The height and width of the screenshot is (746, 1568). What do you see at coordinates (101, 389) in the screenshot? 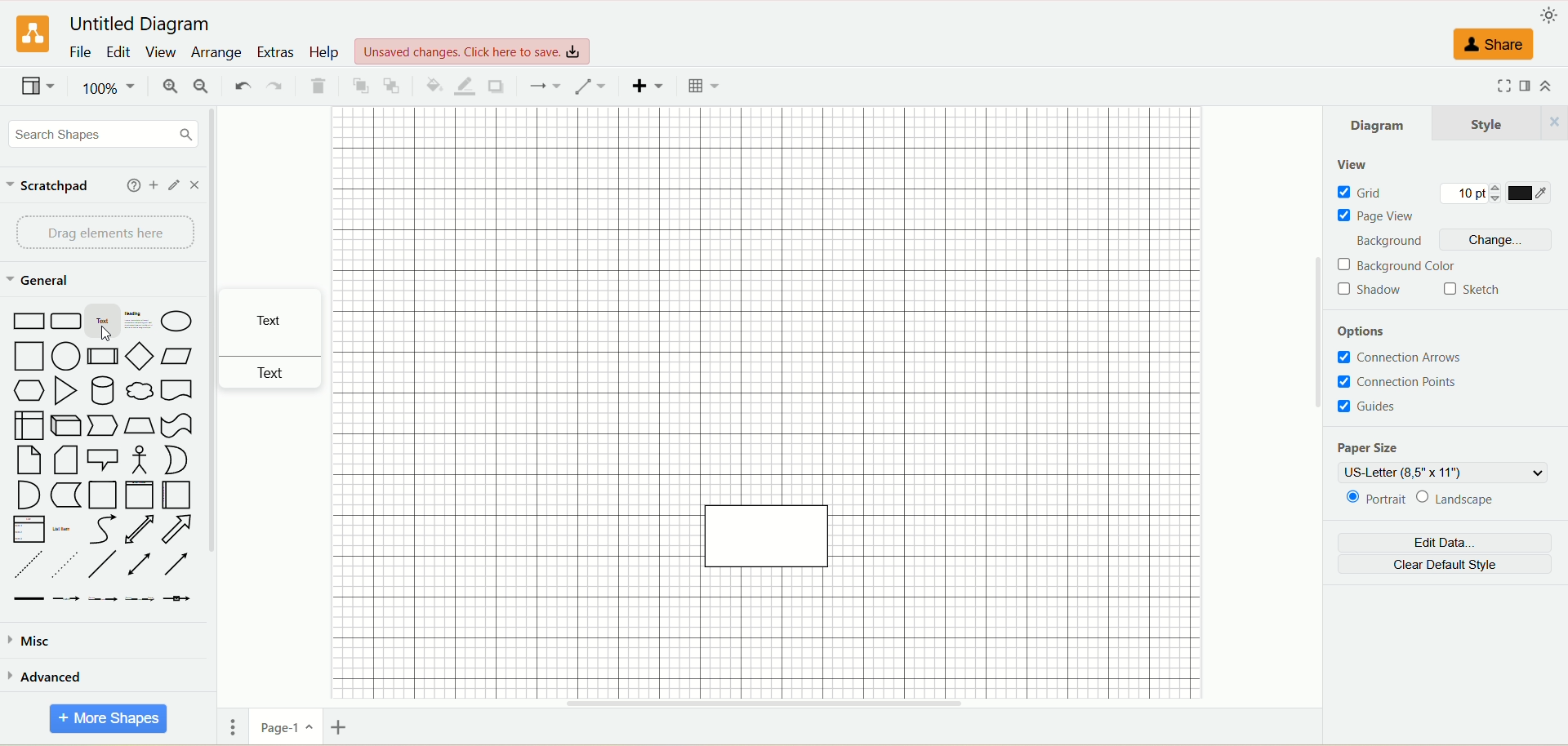
I see `cylinder` at bounding box center [101, 389].